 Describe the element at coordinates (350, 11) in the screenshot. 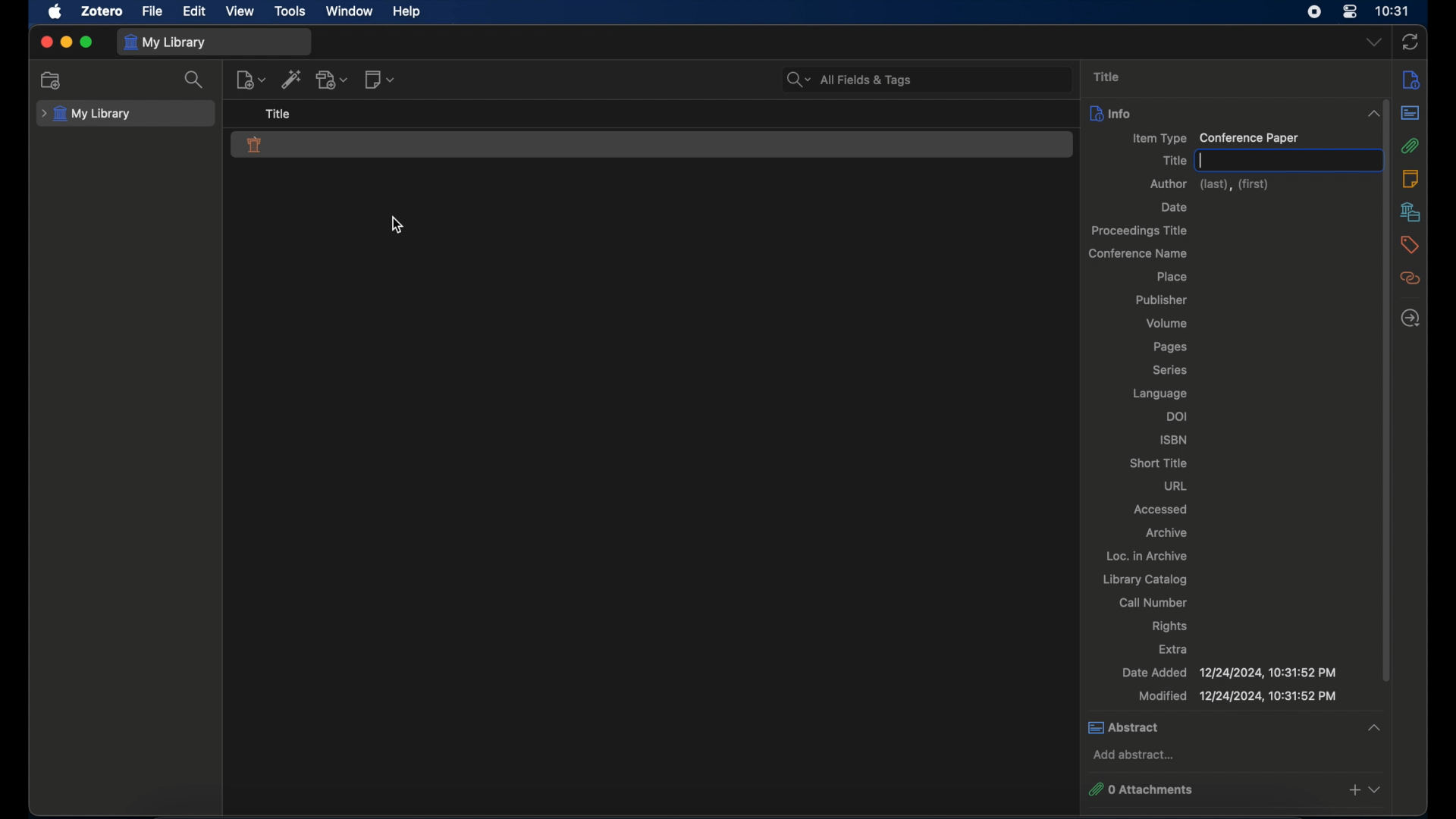

I see `window` at that location.